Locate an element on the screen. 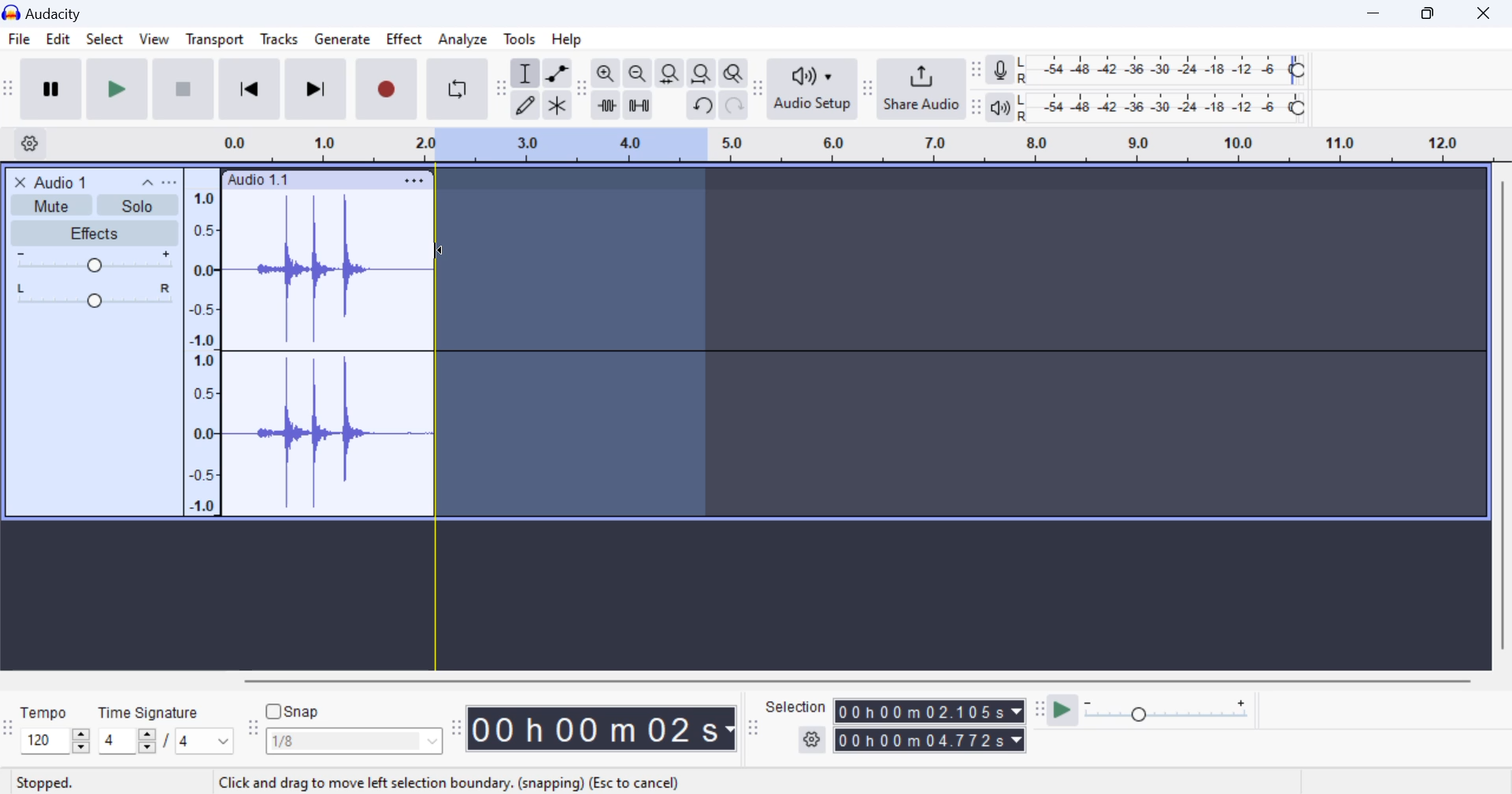 This screenshot has width=1512, height=794. Area Selected is located at coordinates (573, 345).